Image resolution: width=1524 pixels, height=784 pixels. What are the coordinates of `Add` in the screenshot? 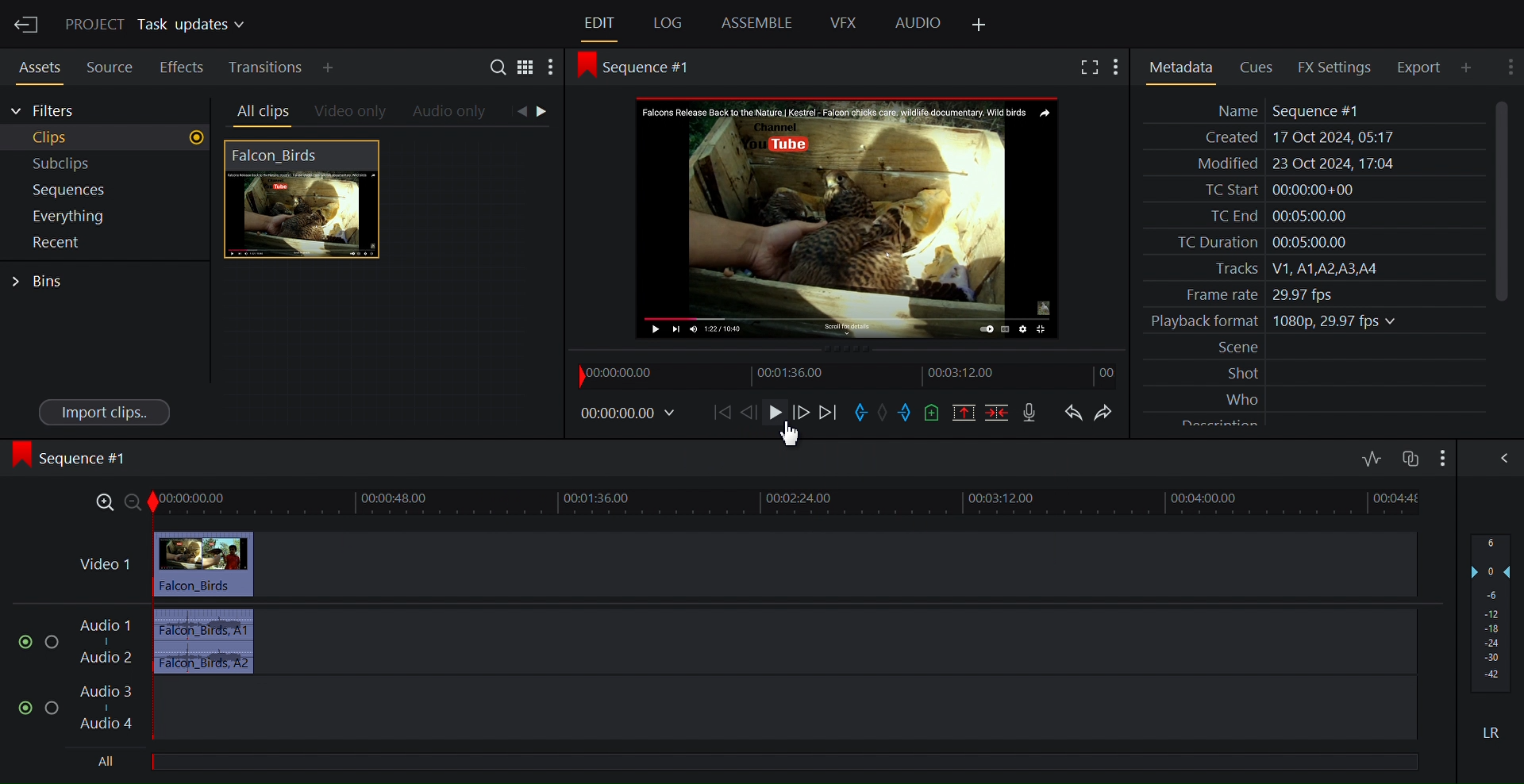 It's located at (341, 67).